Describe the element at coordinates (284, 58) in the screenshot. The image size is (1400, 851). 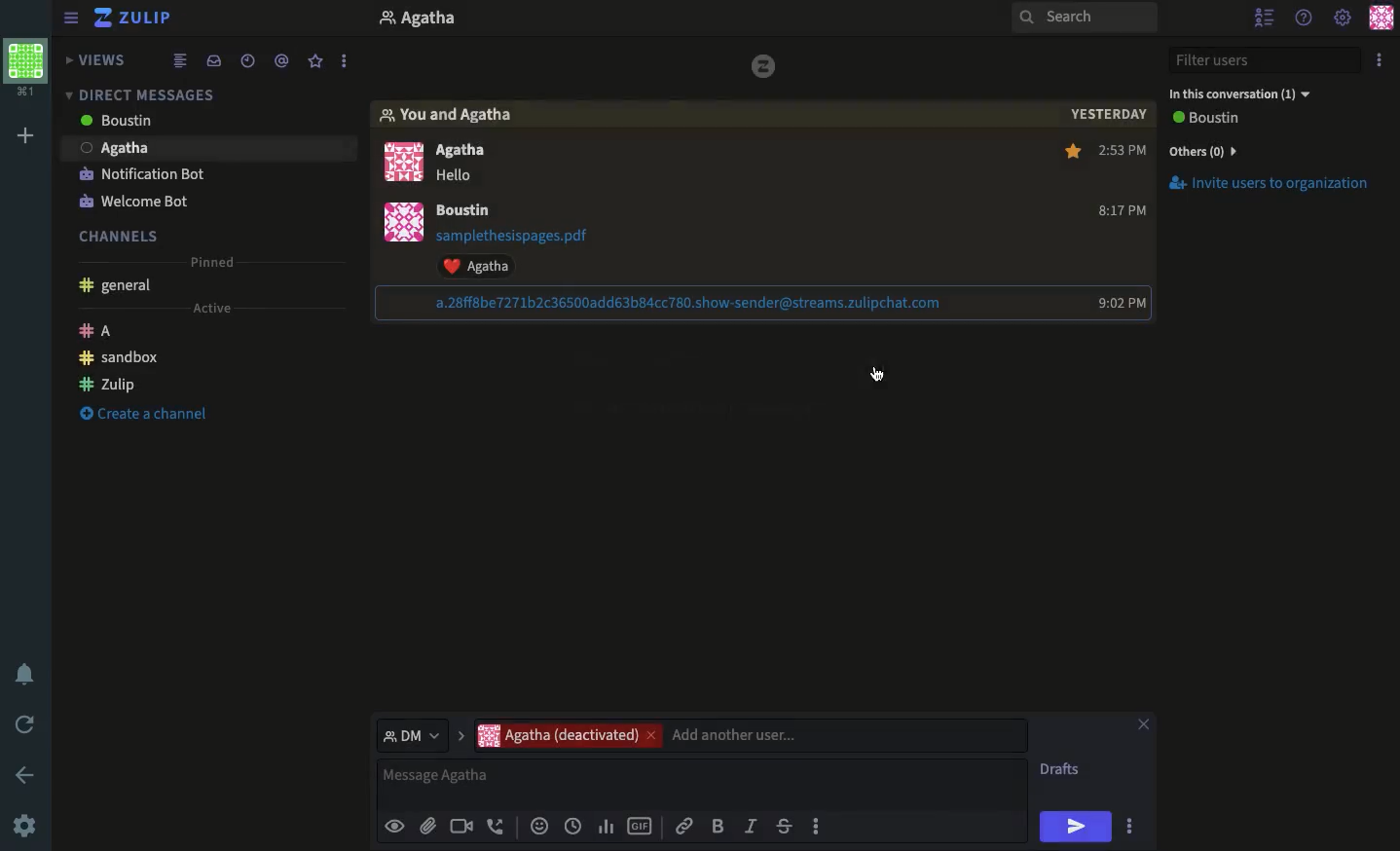
I see `Tag` at that location.